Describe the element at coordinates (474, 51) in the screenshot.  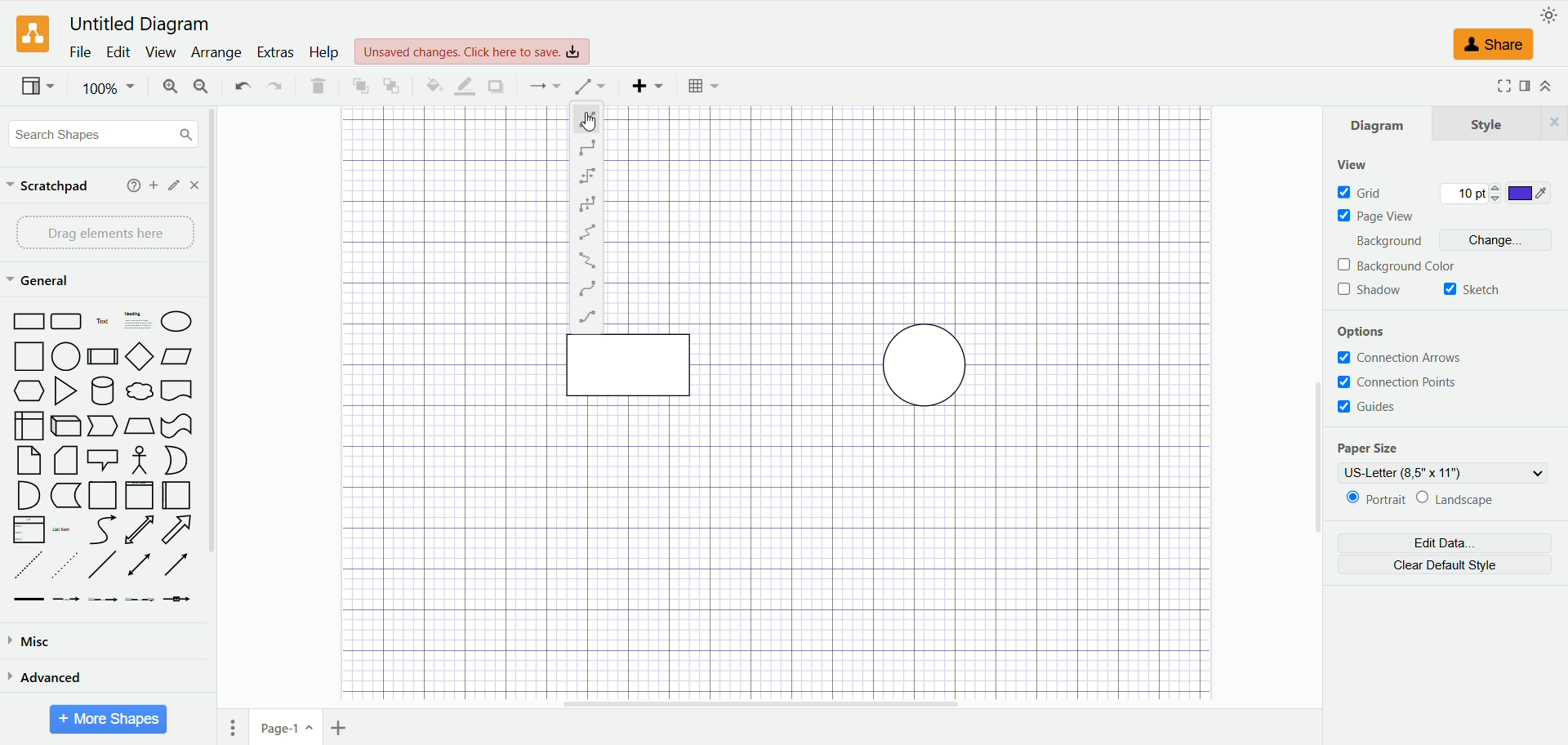
I see `Unsaved changes. Click here to save.` at that location.